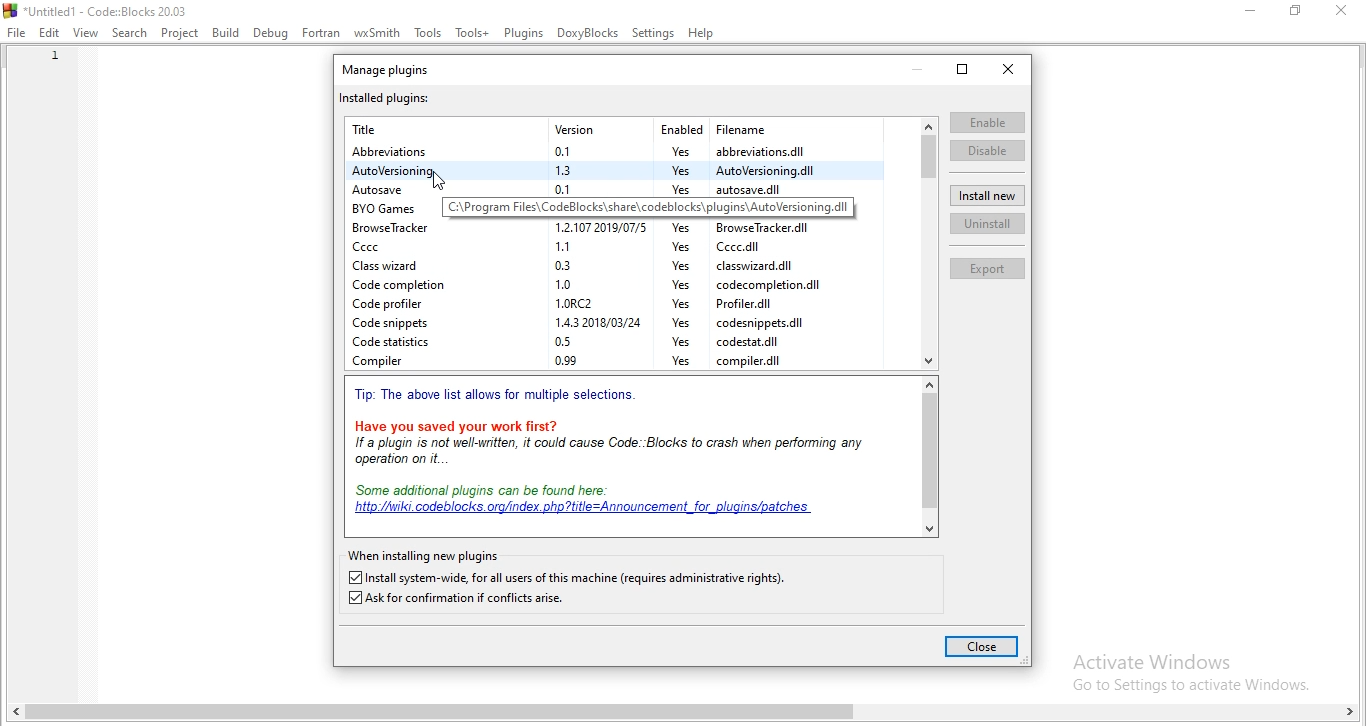  Describe the element at coordinates (1010, 69) in the screenshot. I see `close` at that location.